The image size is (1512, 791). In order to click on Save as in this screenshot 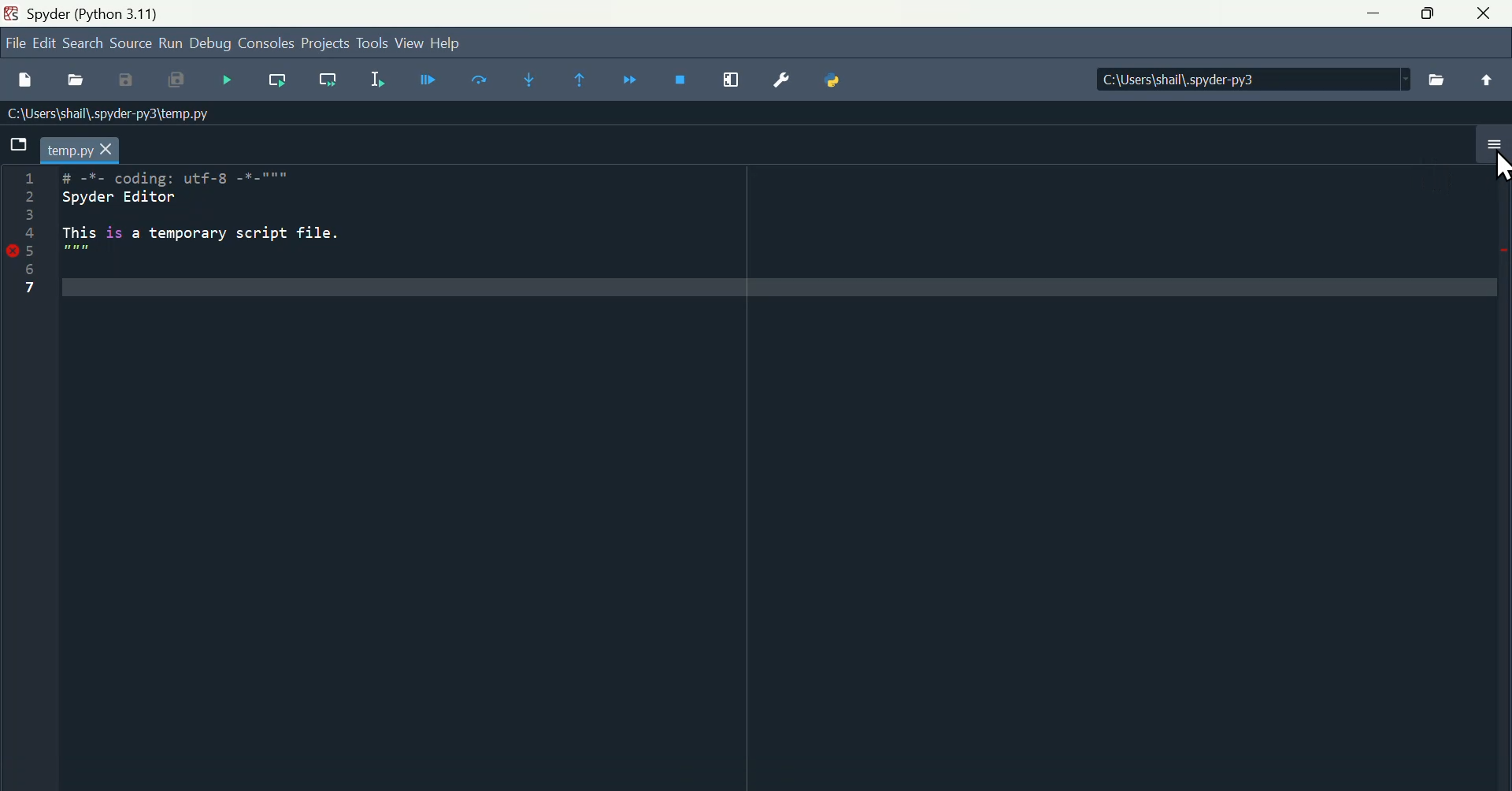, I will do `click(133, 82)`.